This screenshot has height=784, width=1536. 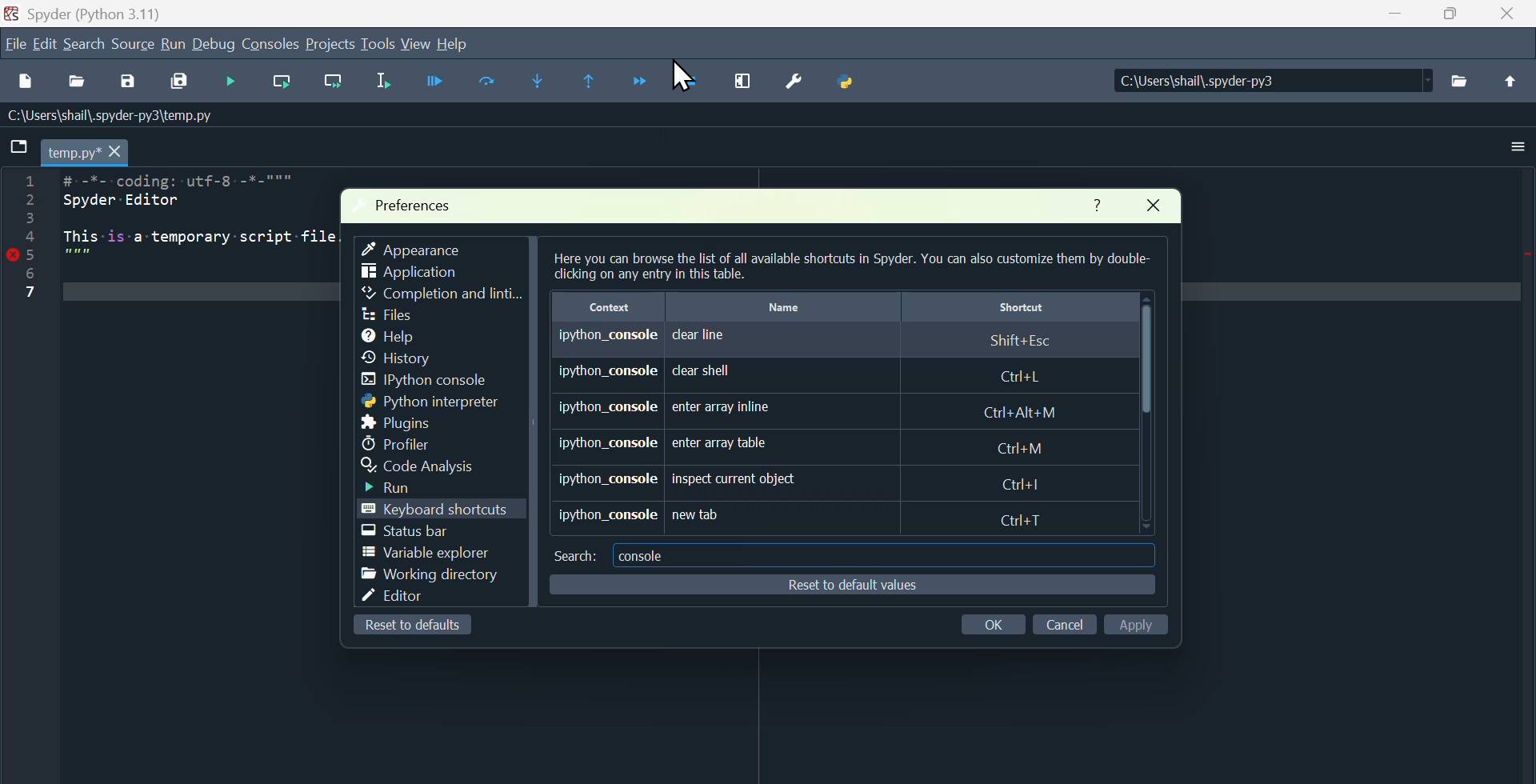 I want to click on Run selection, so click(x=388, y=82).